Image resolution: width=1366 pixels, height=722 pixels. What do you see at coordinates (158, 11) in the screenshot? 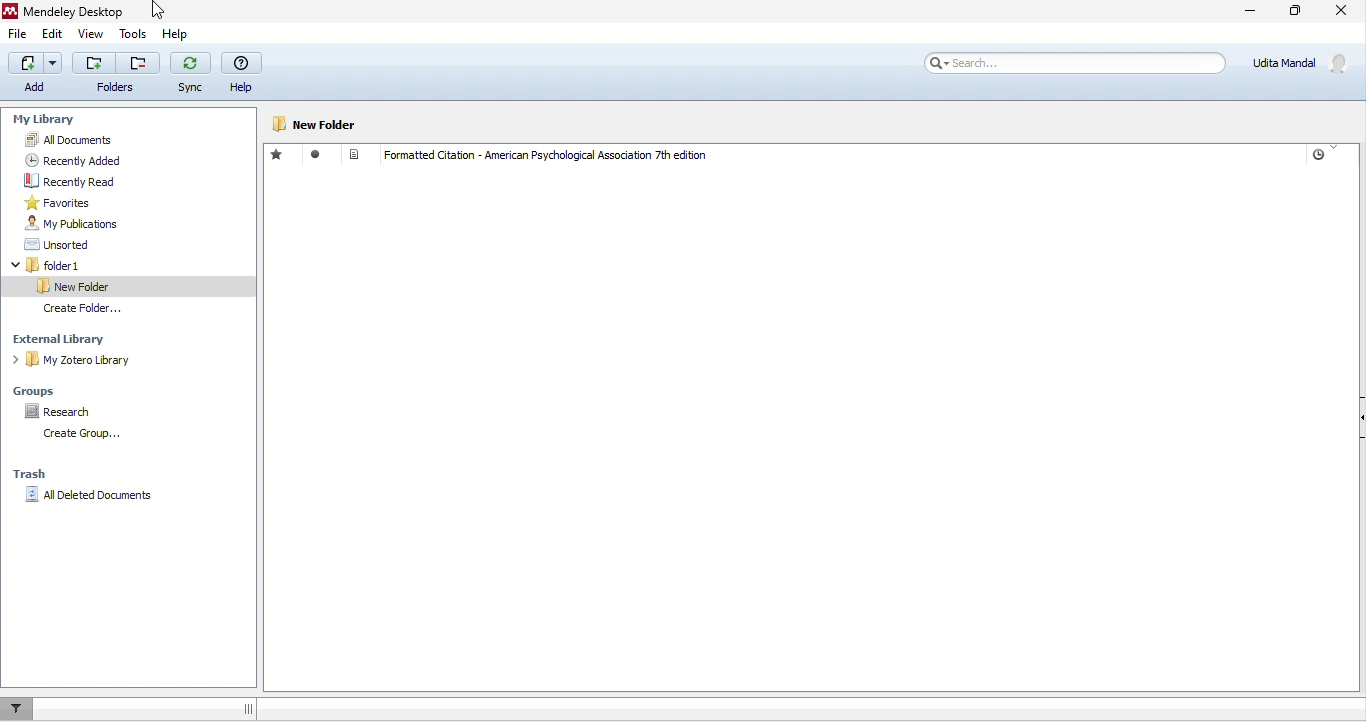
I see `cursor` at bounding box center [158, 11].